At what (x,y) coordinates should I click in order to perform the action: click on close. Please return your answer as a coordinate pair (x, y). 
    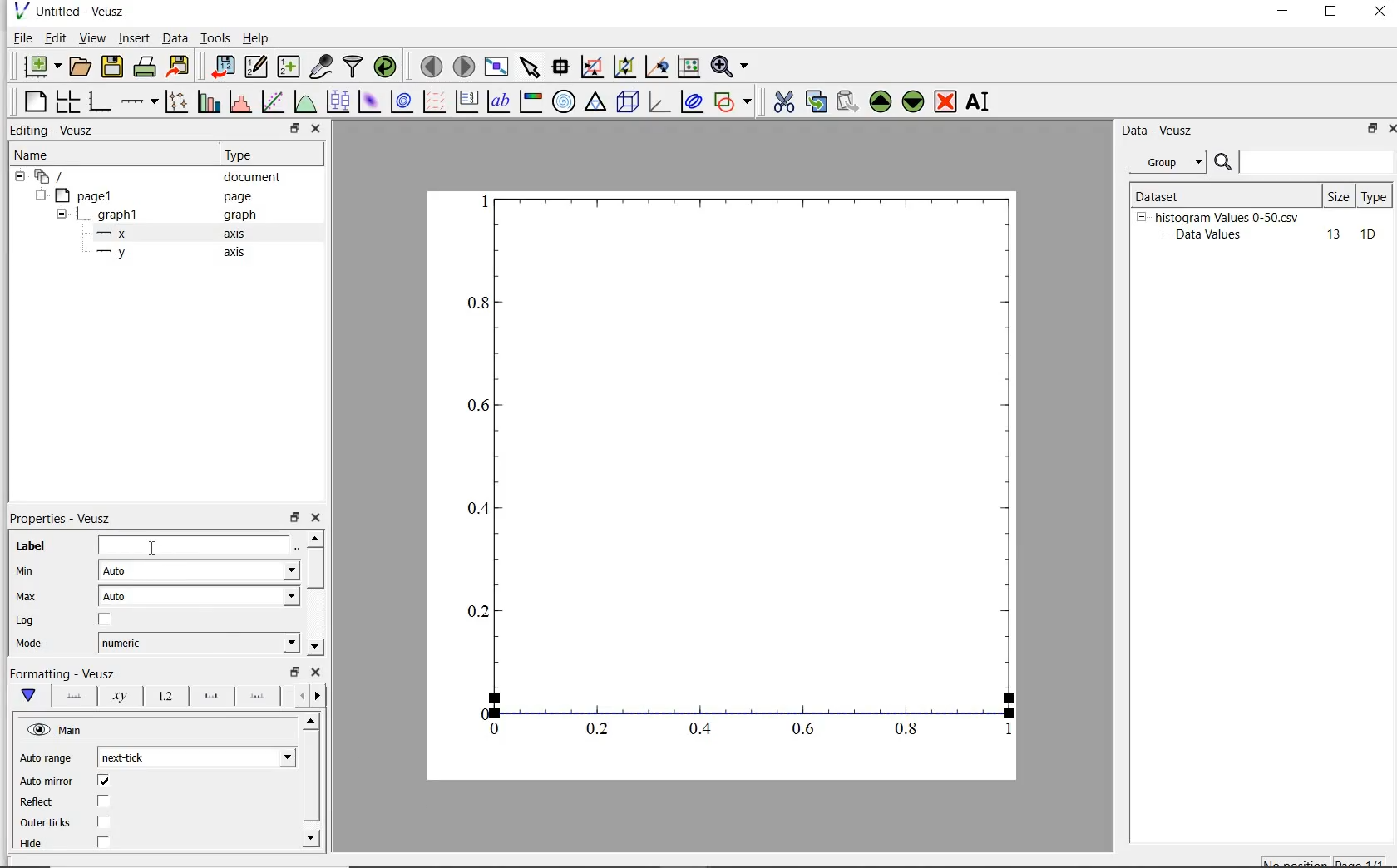
    Looking at the image, I should click on (319, 518).